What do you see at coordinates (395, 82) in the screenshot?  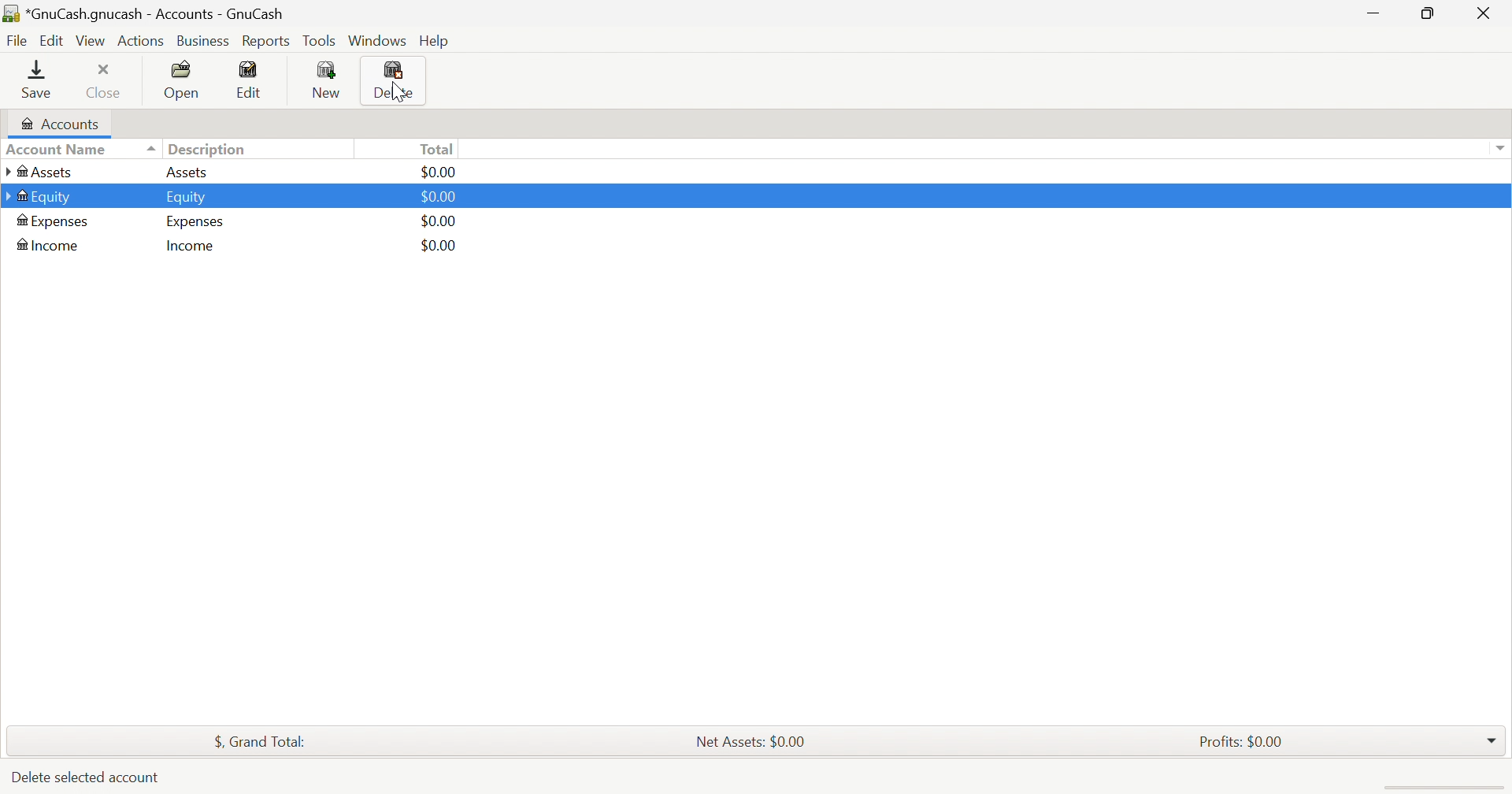 I see `Delete` at bounding box center [395, 82].